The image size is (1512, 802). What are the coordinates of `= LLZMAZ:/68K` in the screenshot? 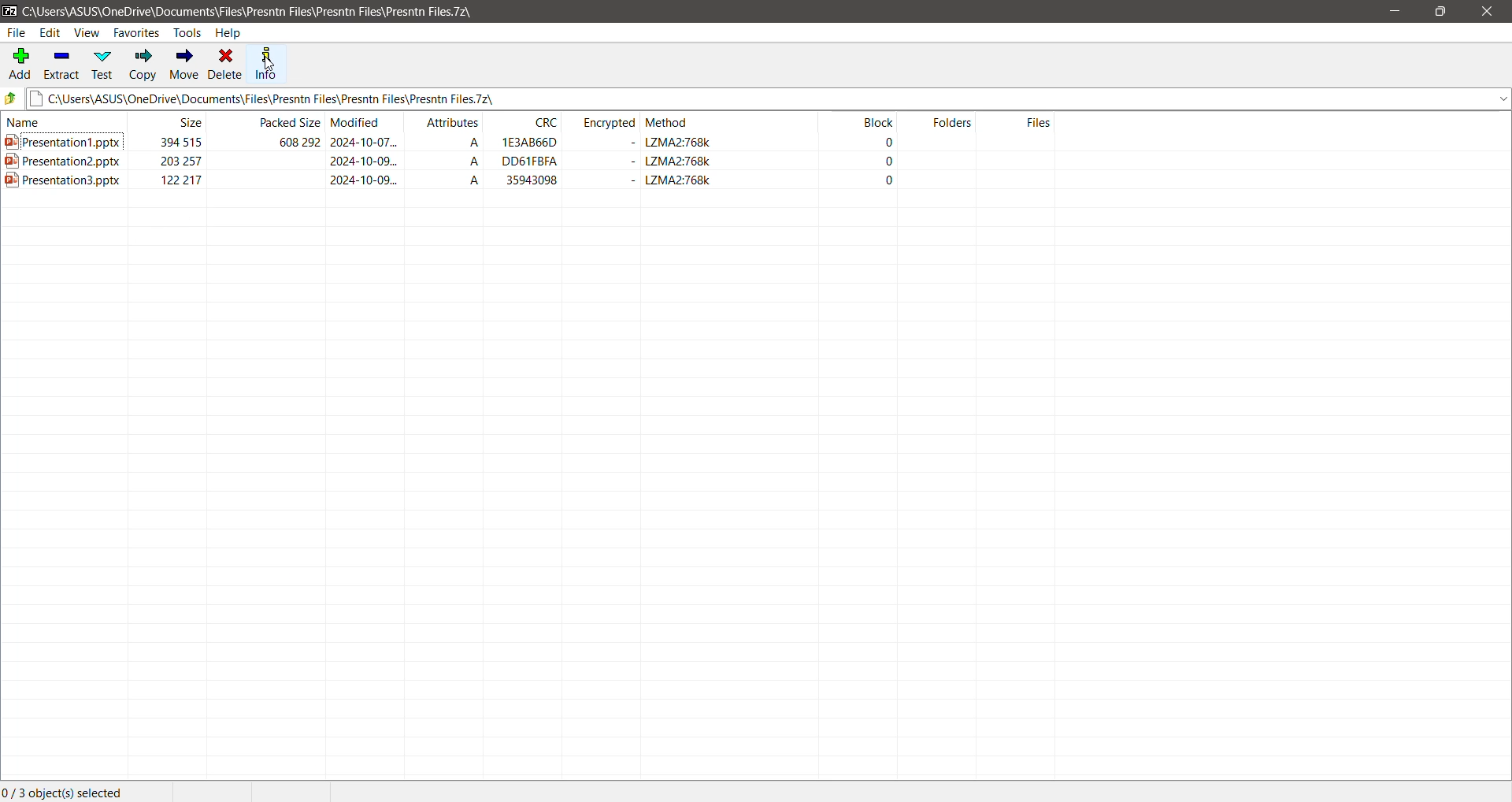 It's located at (673, 182).